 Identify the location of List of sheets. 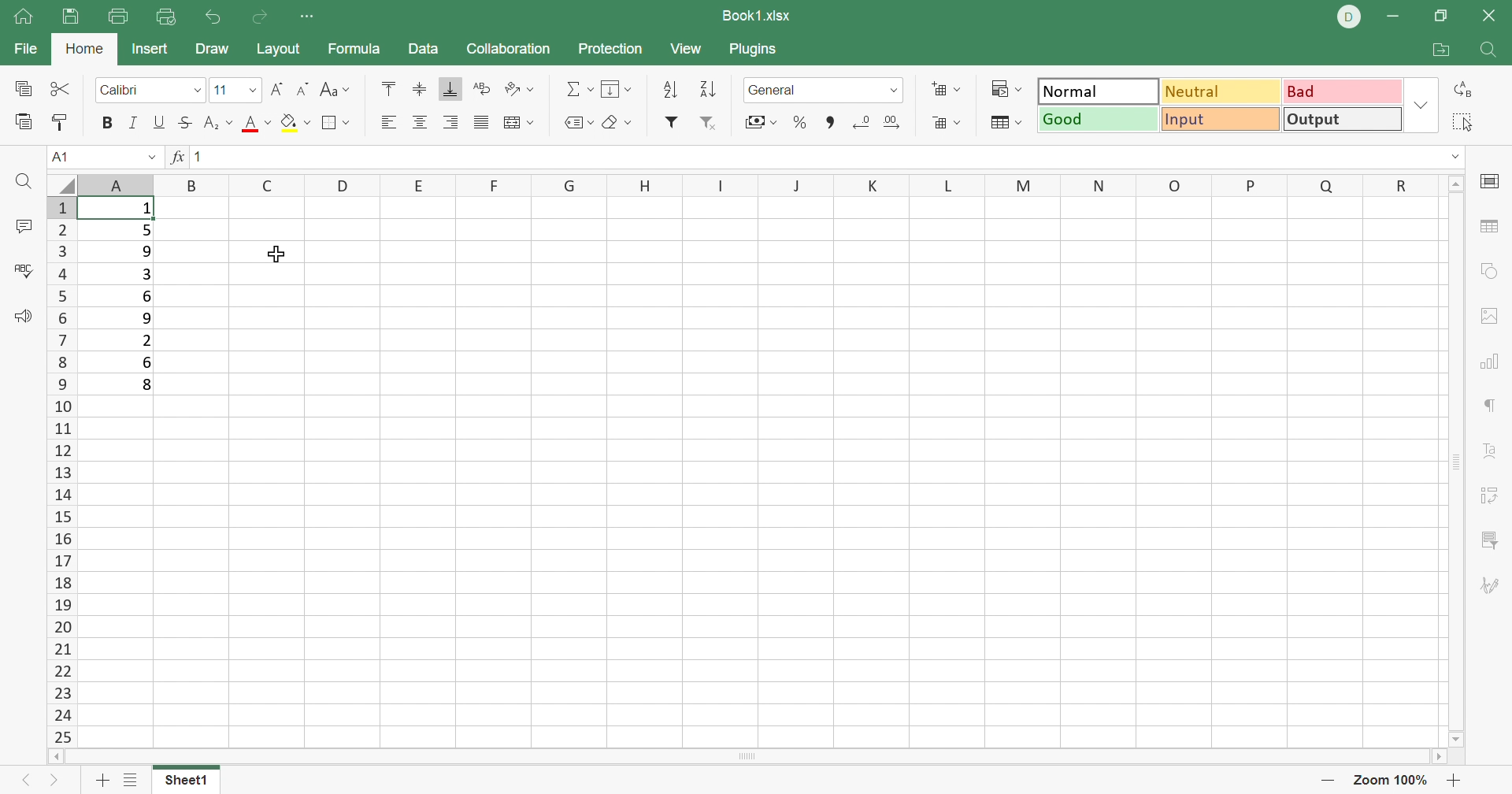
(131, 781).